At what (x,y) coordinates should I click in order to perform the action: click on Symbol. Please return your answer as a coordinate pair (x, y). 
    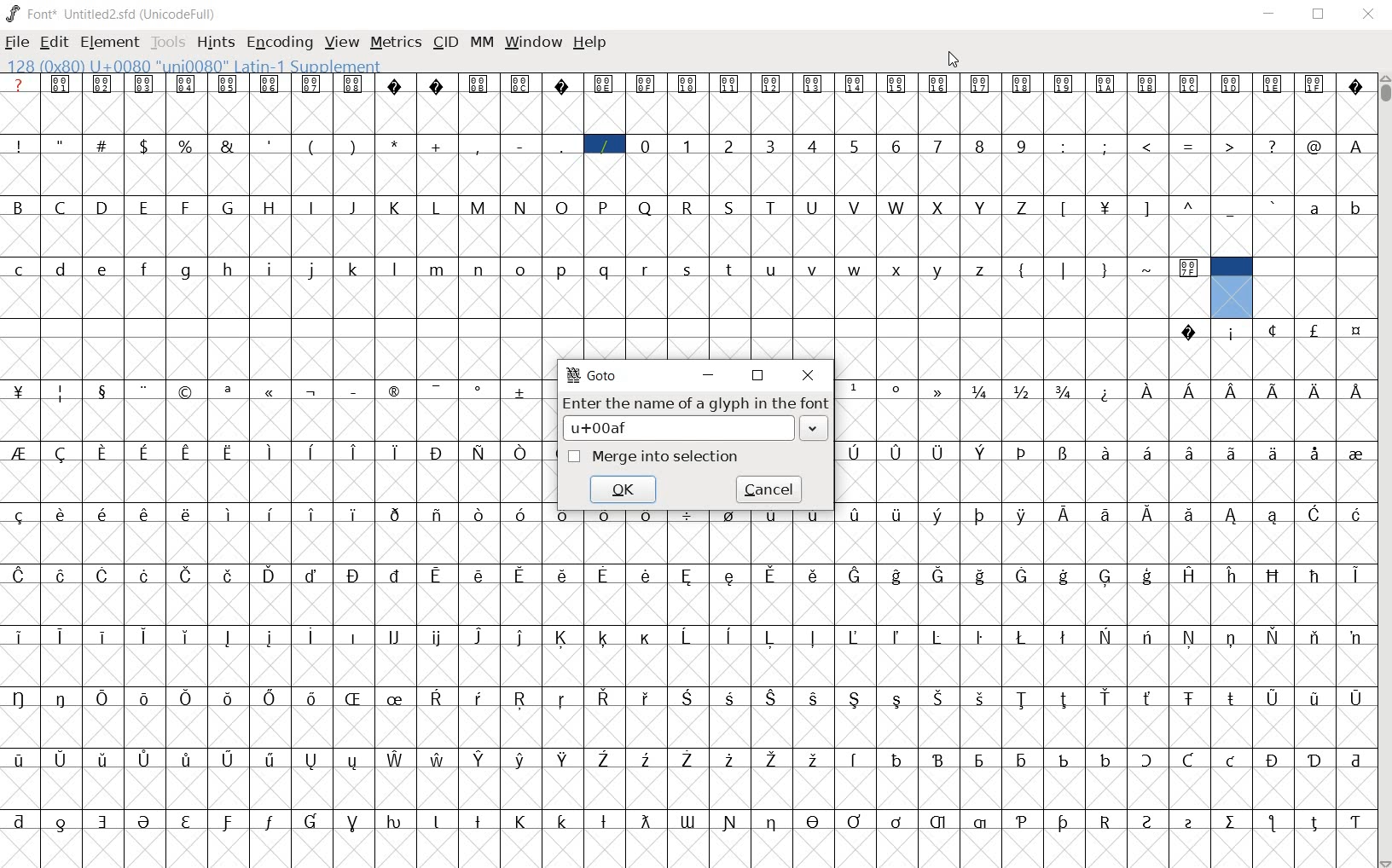
    Looking at the image, I should click on (1354, 391).